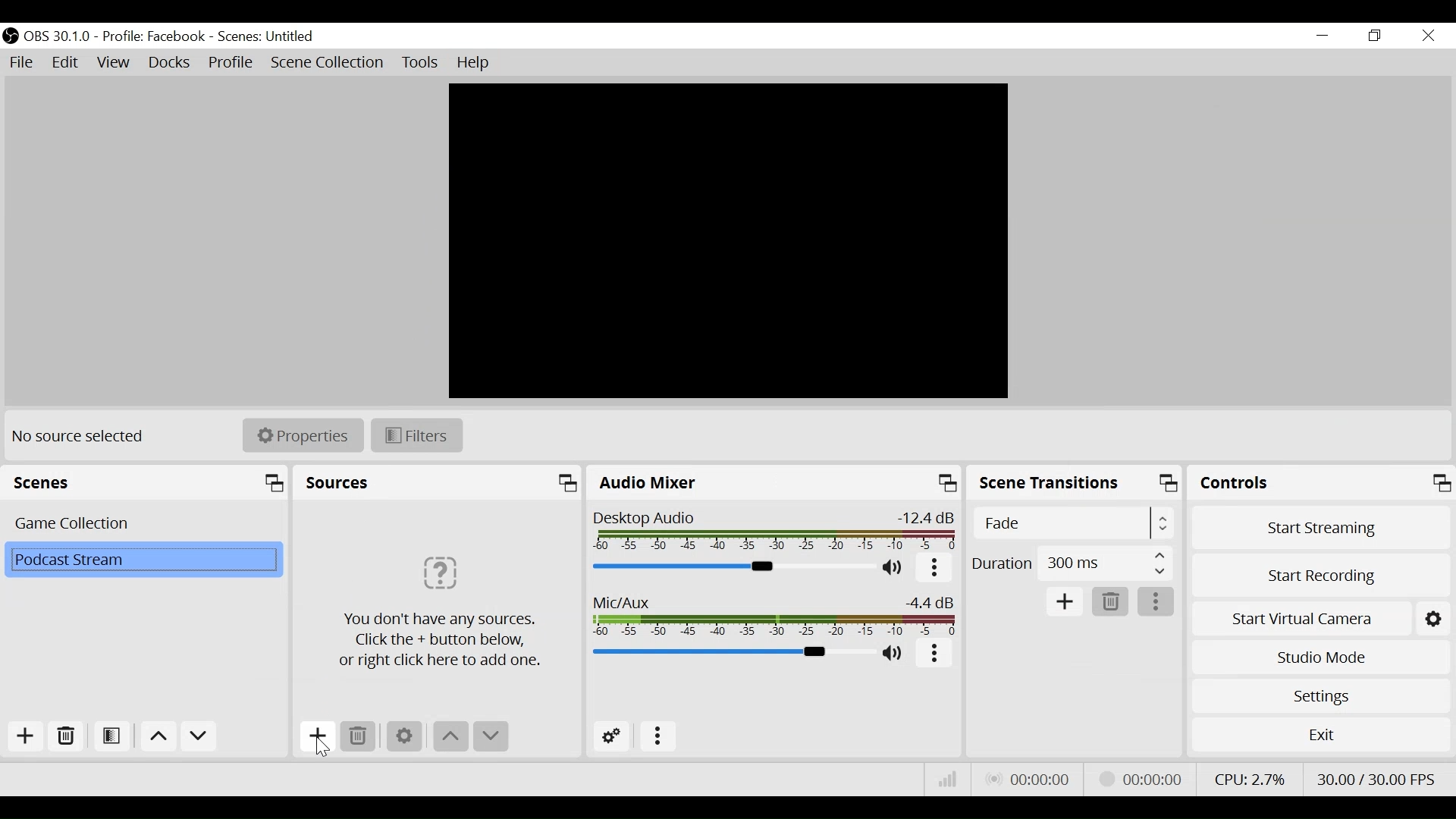 Image resolution: width=1456 pixels, height=819 pixels. I want to click on Preview, so click(727, 241).